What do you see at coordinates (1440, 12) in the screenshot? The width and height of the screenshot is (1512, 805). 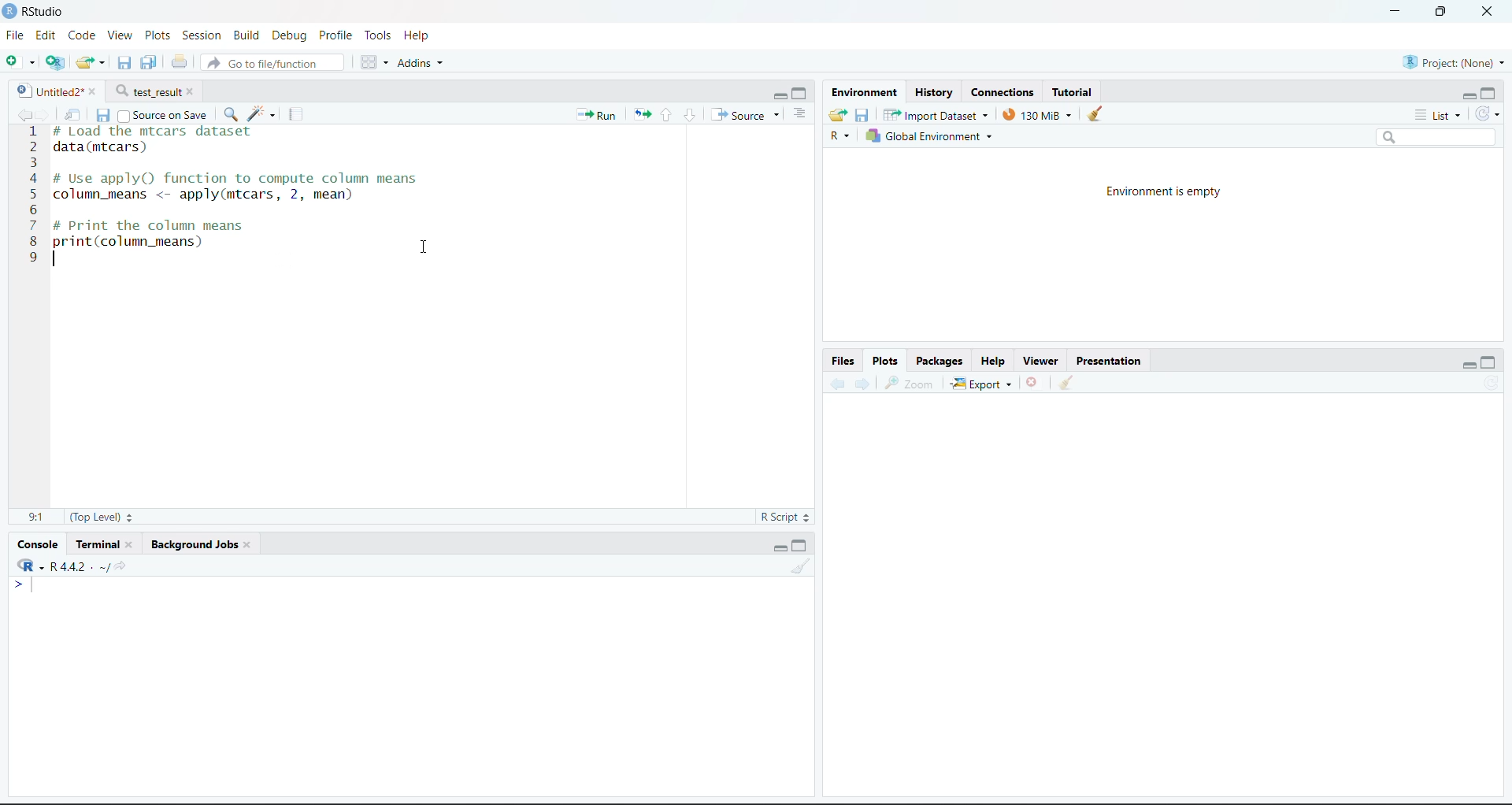 I see `Maximize` at bounding box center [1440, 12].